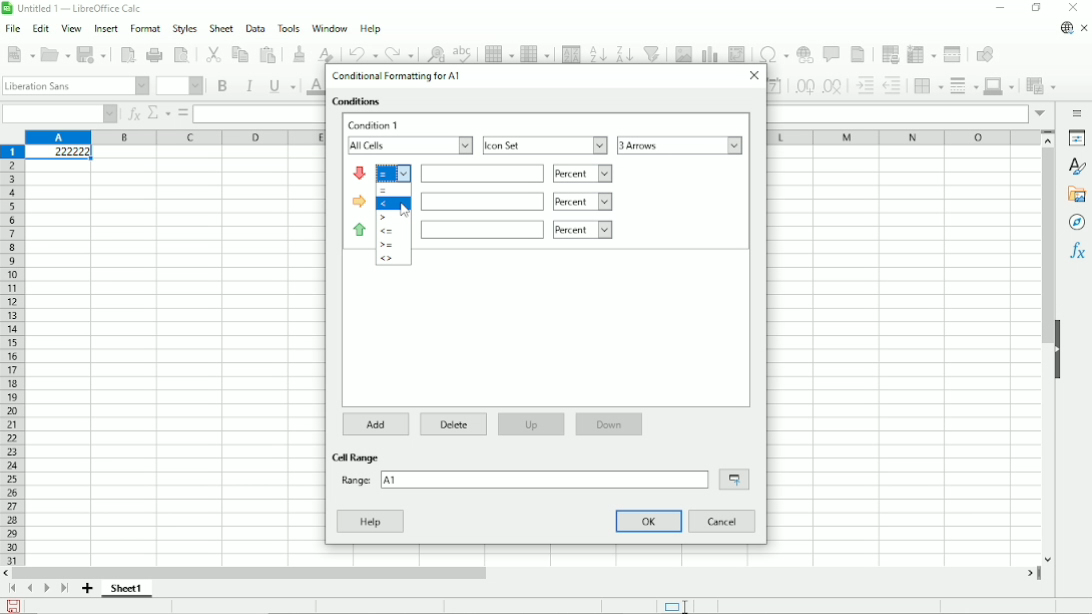  I want to click on Cancel, so click(723, 522).